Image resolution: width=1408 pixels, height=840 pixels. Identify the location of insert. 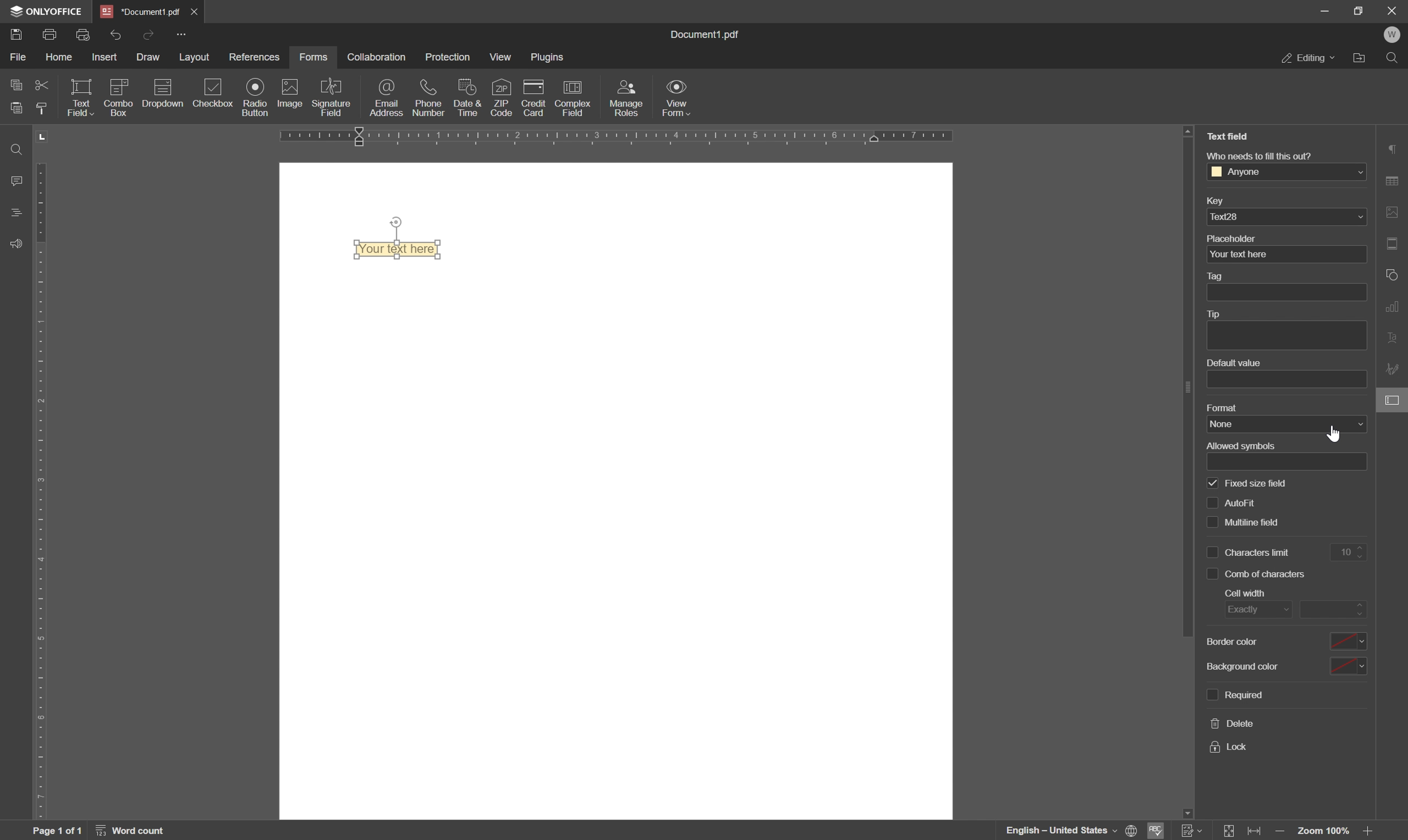
(106, 57).